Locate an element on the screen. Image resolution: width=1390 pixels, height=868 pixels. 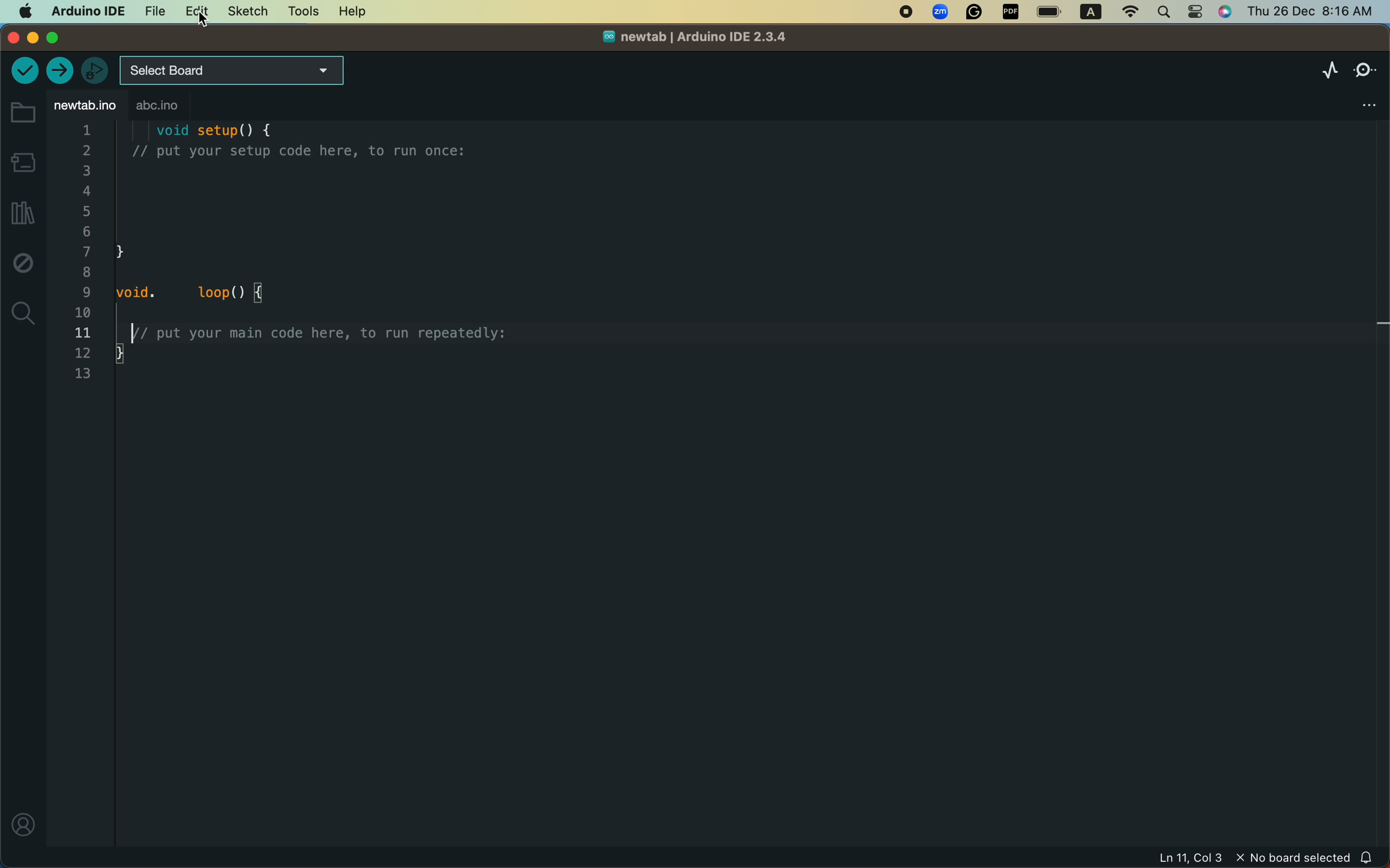
board manager is located at coordinates (22, 161).